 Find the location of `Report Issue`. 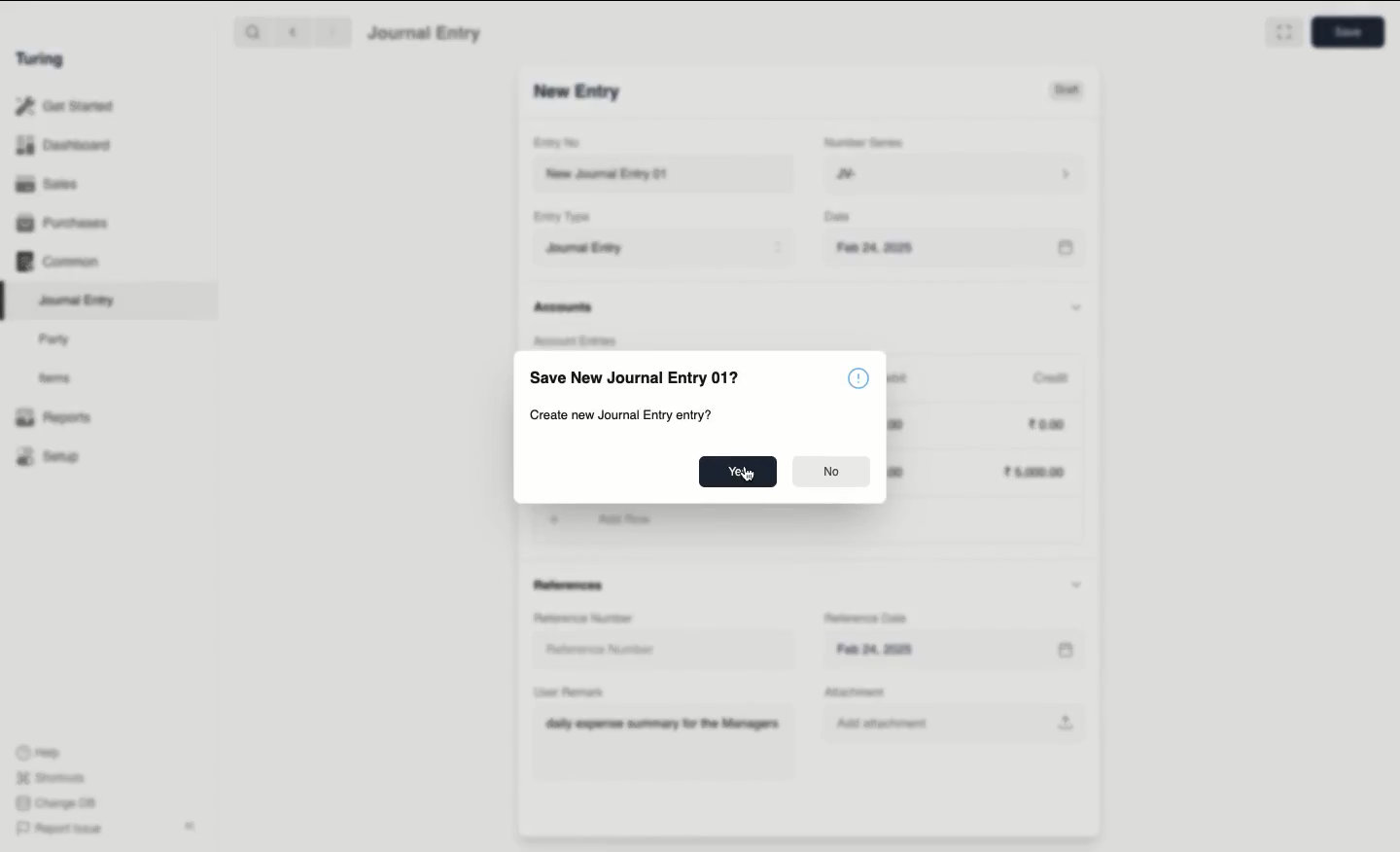

Report Issue is located at coordinates (61, 830).